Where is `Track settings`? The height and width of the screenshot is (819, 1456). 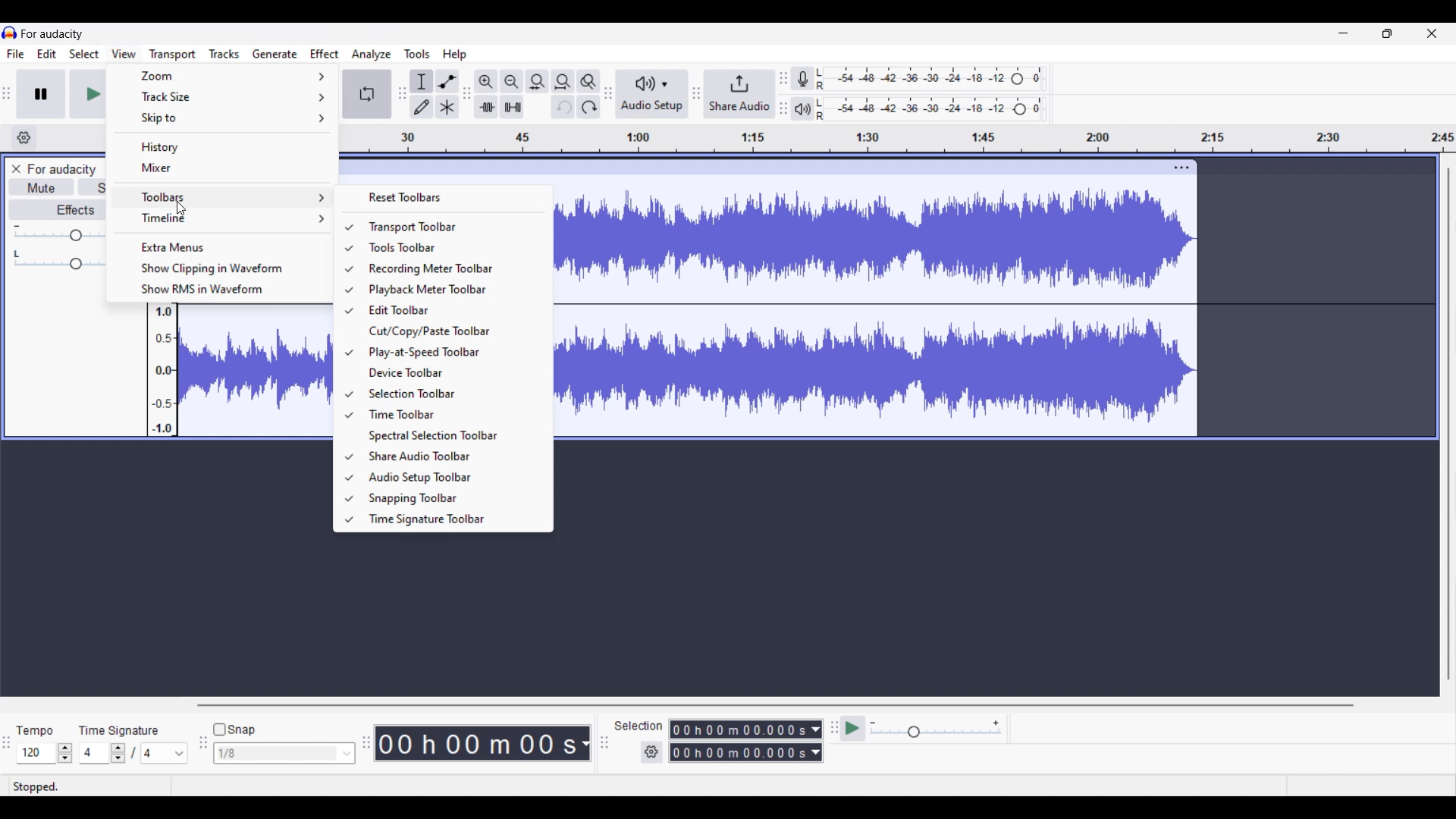 Track settings is located at coordinates (1182, 168).